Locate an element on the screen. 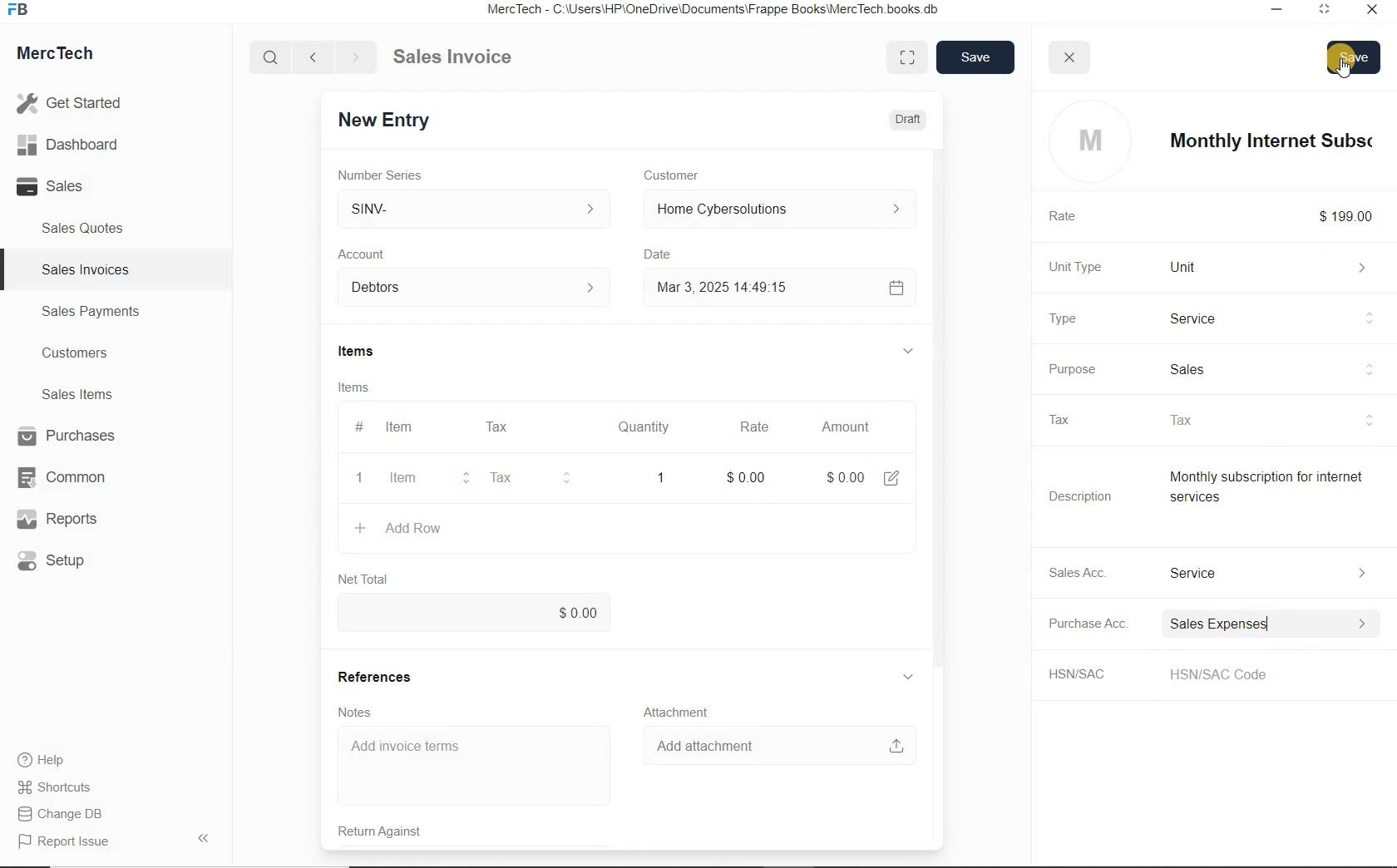 The image size is (1397, 868). Setup is located at coordinates (70, 560).